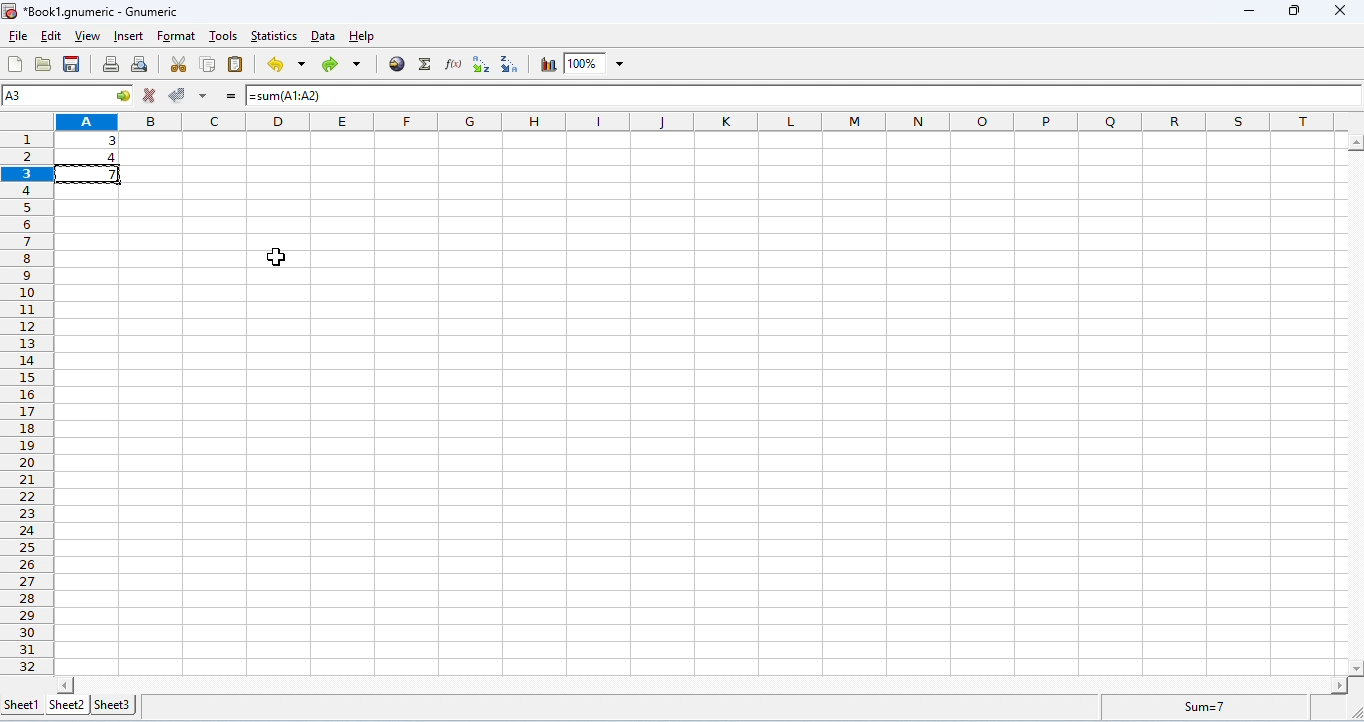 The height and width of the screenshot is (722, 1364). What do you see at coordinates (26, 398) in the screenshot?
I see `row numbers` at bounding box center [26, 398].